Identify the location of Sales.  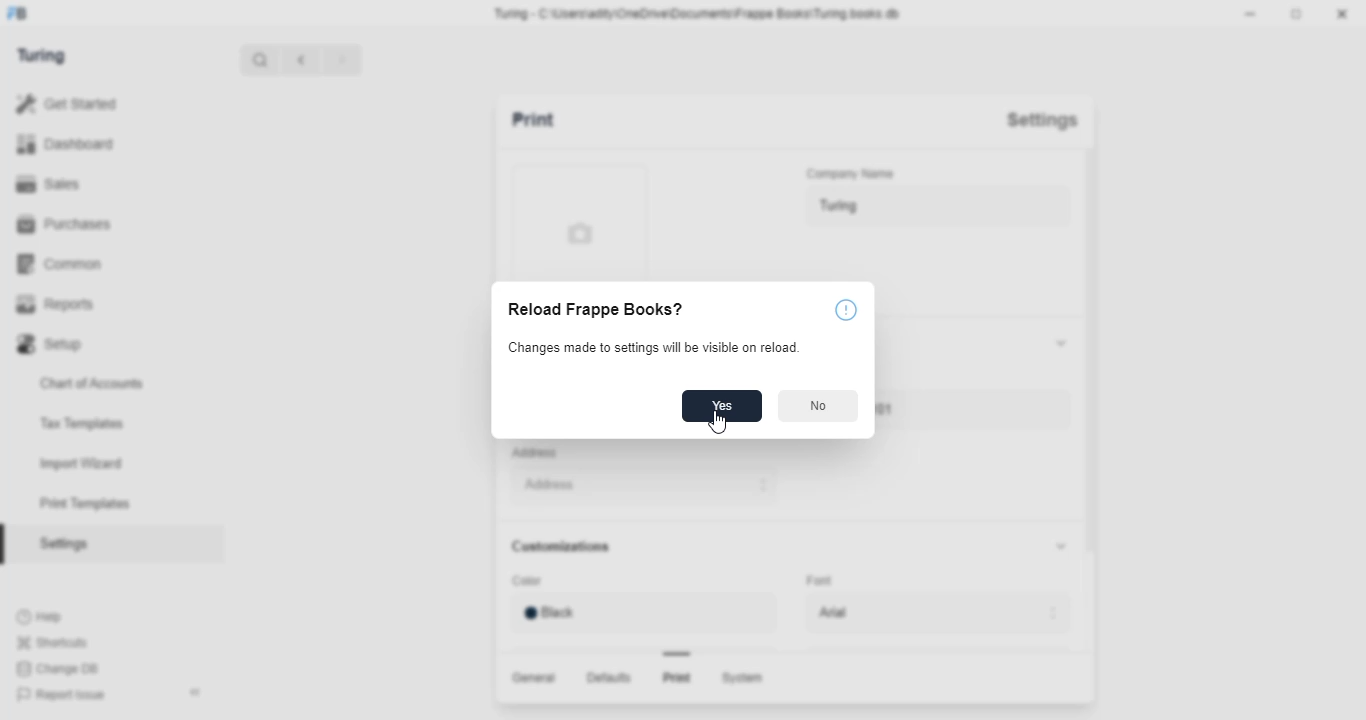
(98, 182).